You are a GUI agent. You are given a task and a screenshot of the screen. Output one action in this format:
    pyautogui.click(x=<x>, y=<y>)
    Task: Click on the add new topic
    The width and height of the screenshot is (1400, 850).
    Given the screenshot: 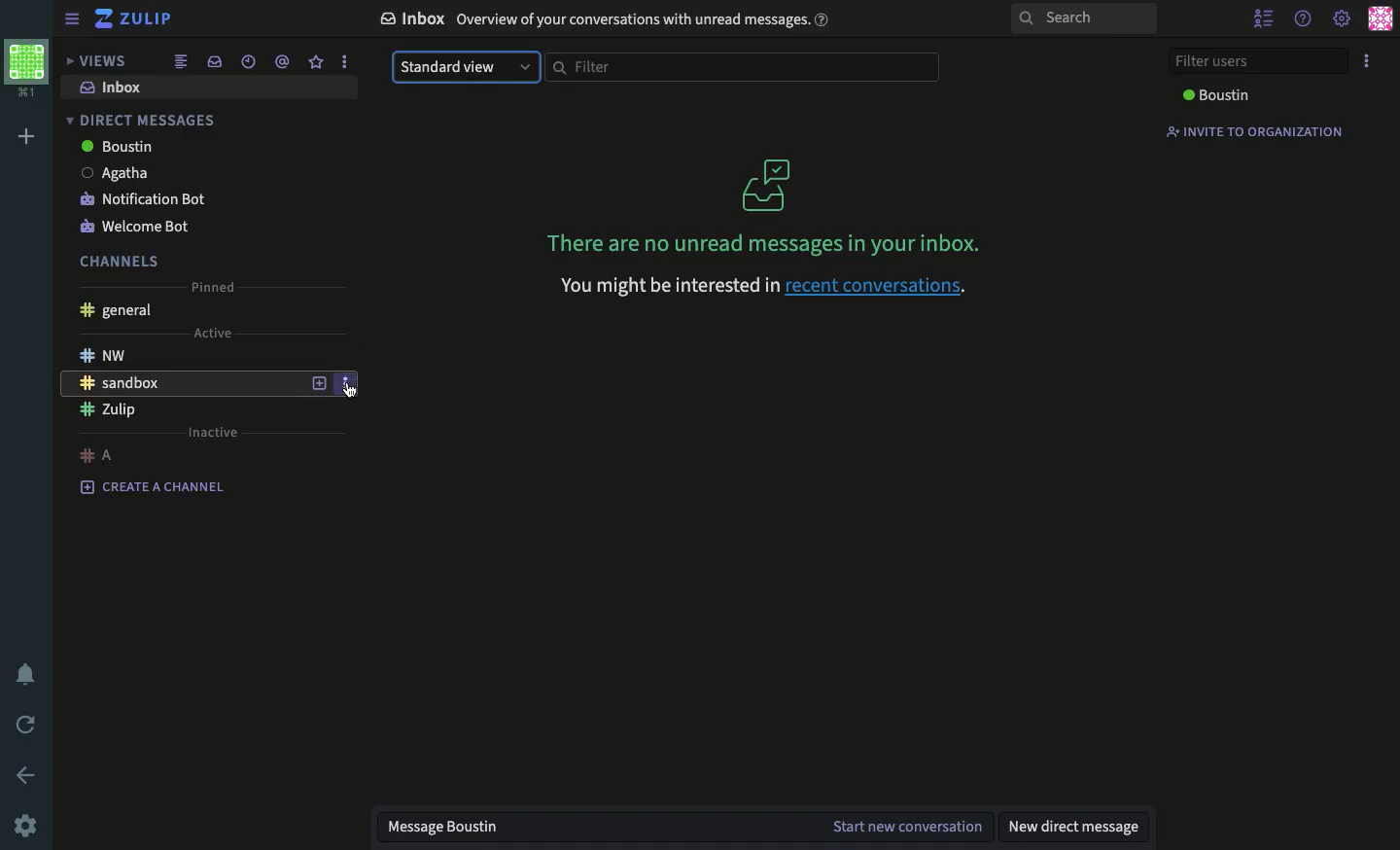 What is the action you would take?
    pyautogui.click(x=317, y=384)
    